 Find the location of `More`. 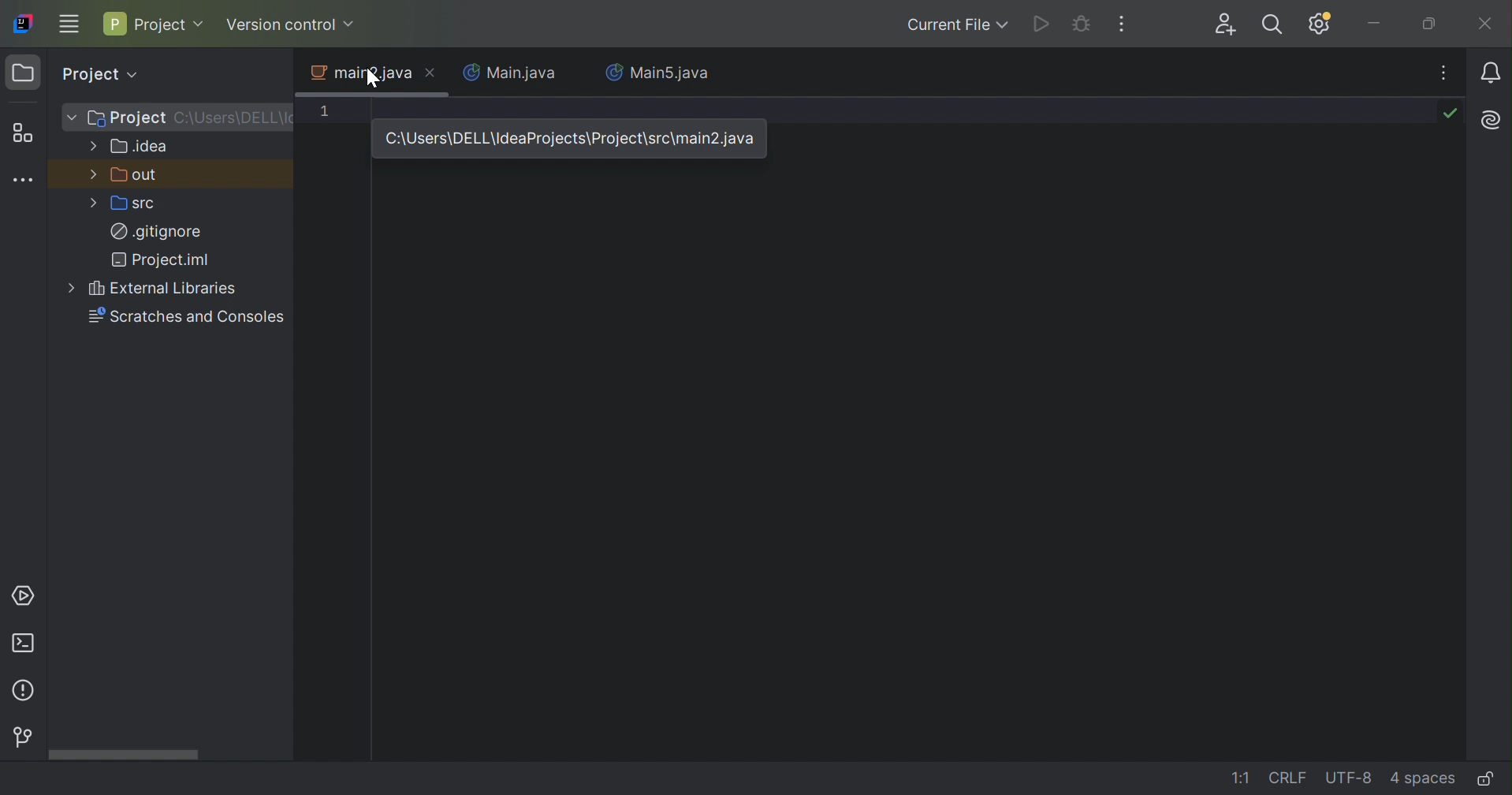

More is located at coordinates (71, 118).